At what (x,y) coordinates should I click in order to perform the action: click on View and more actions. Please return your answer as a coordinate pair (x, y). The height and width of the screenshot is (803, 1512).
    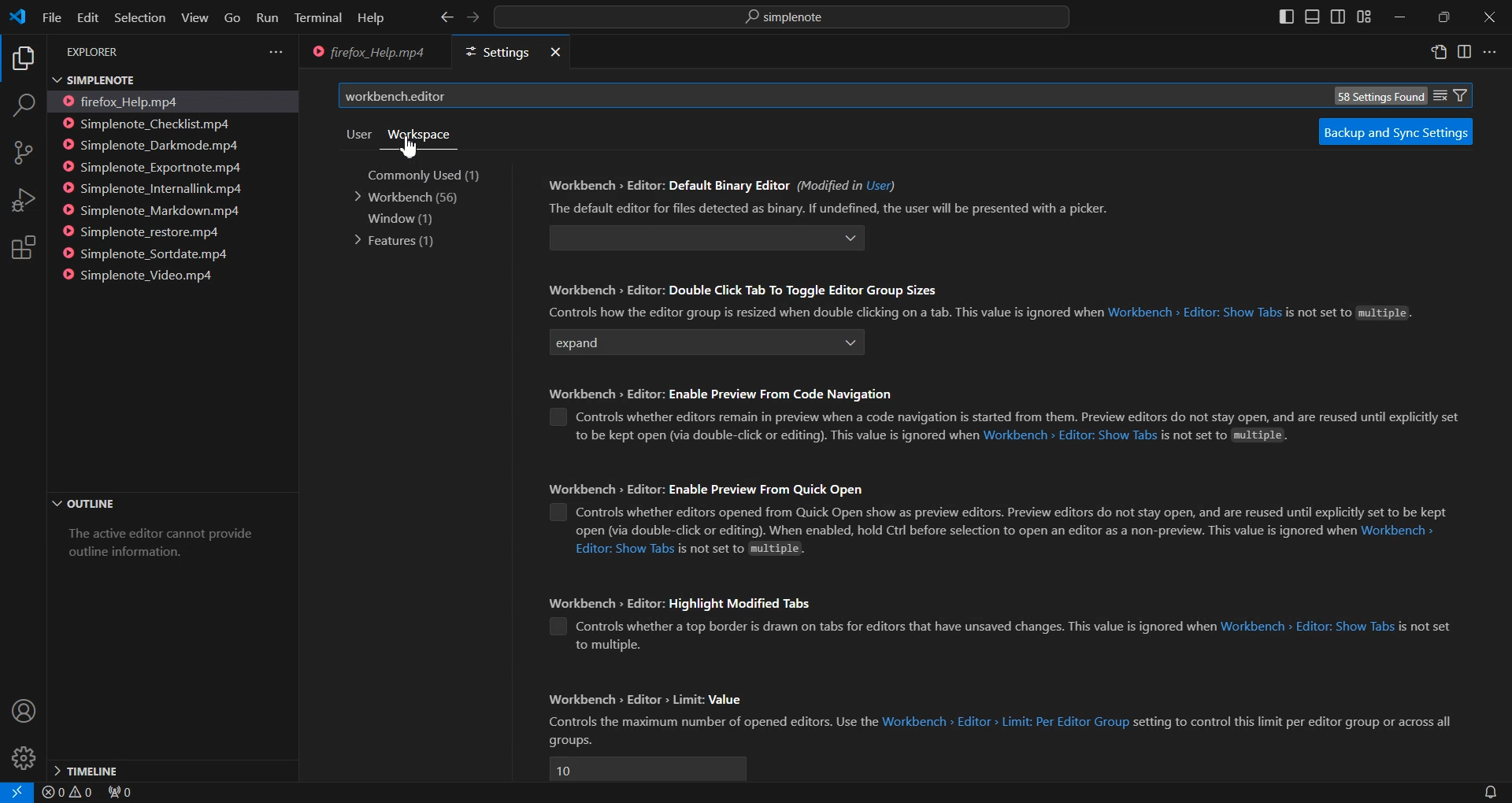
    Looking at the image, I should click on (276, 52).